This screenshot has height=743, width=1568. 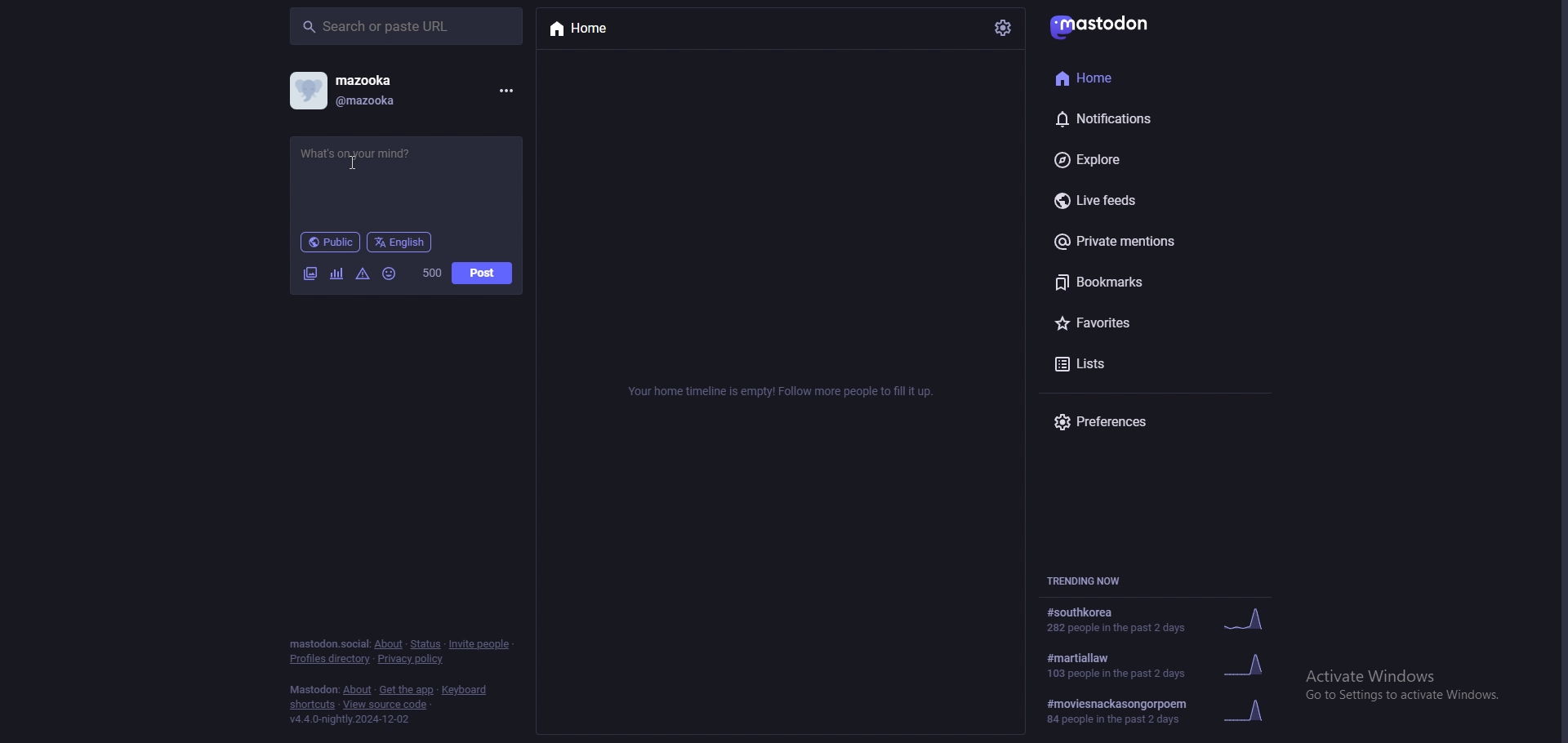 I want to click on privacy policy, so click(x=413, y=659).